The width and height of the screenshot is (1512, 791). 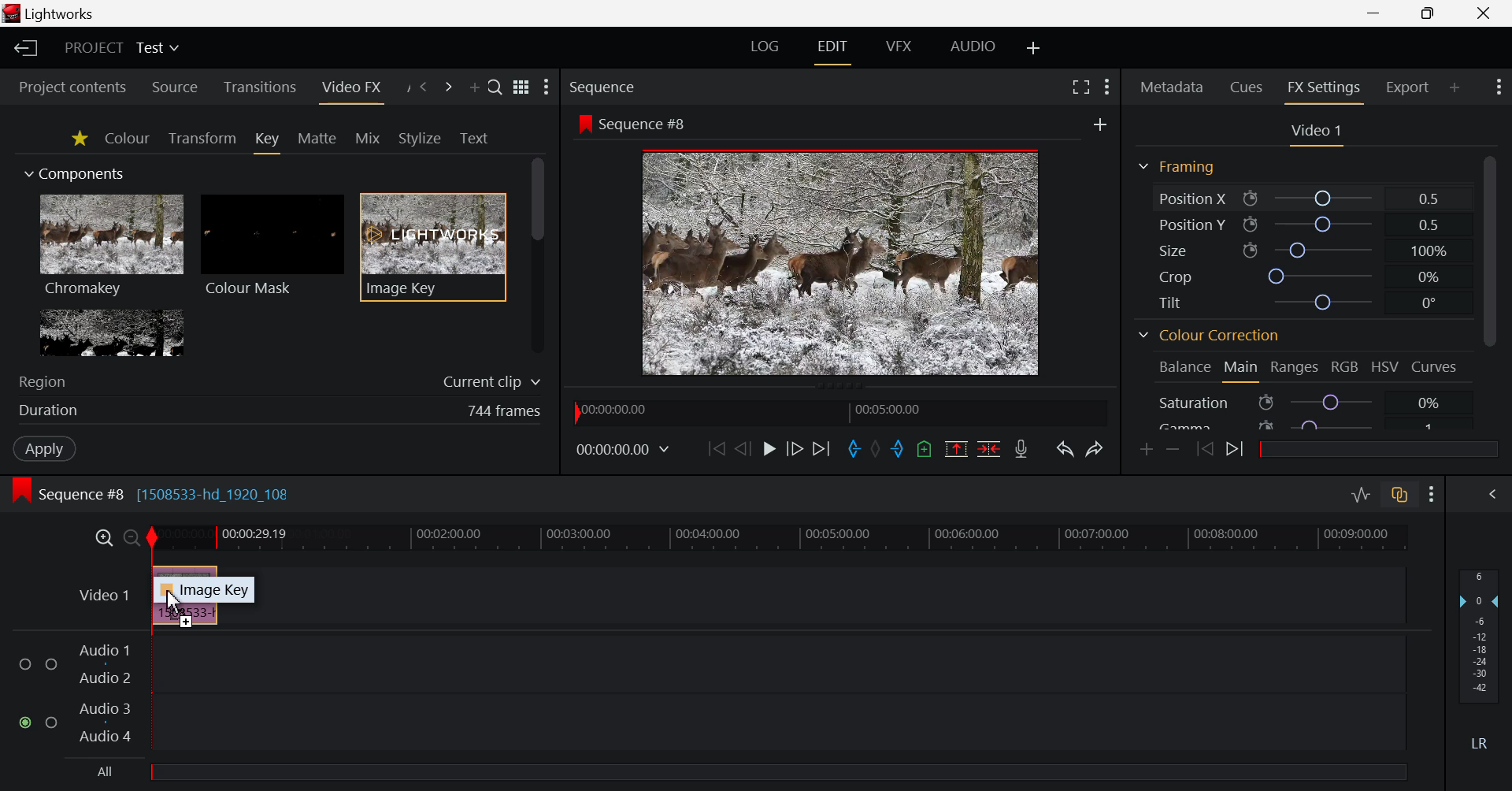 What do you see at coordinates (491, 381) in the screenshot?
I see `Current clip ` at bounding box center [491, 381].